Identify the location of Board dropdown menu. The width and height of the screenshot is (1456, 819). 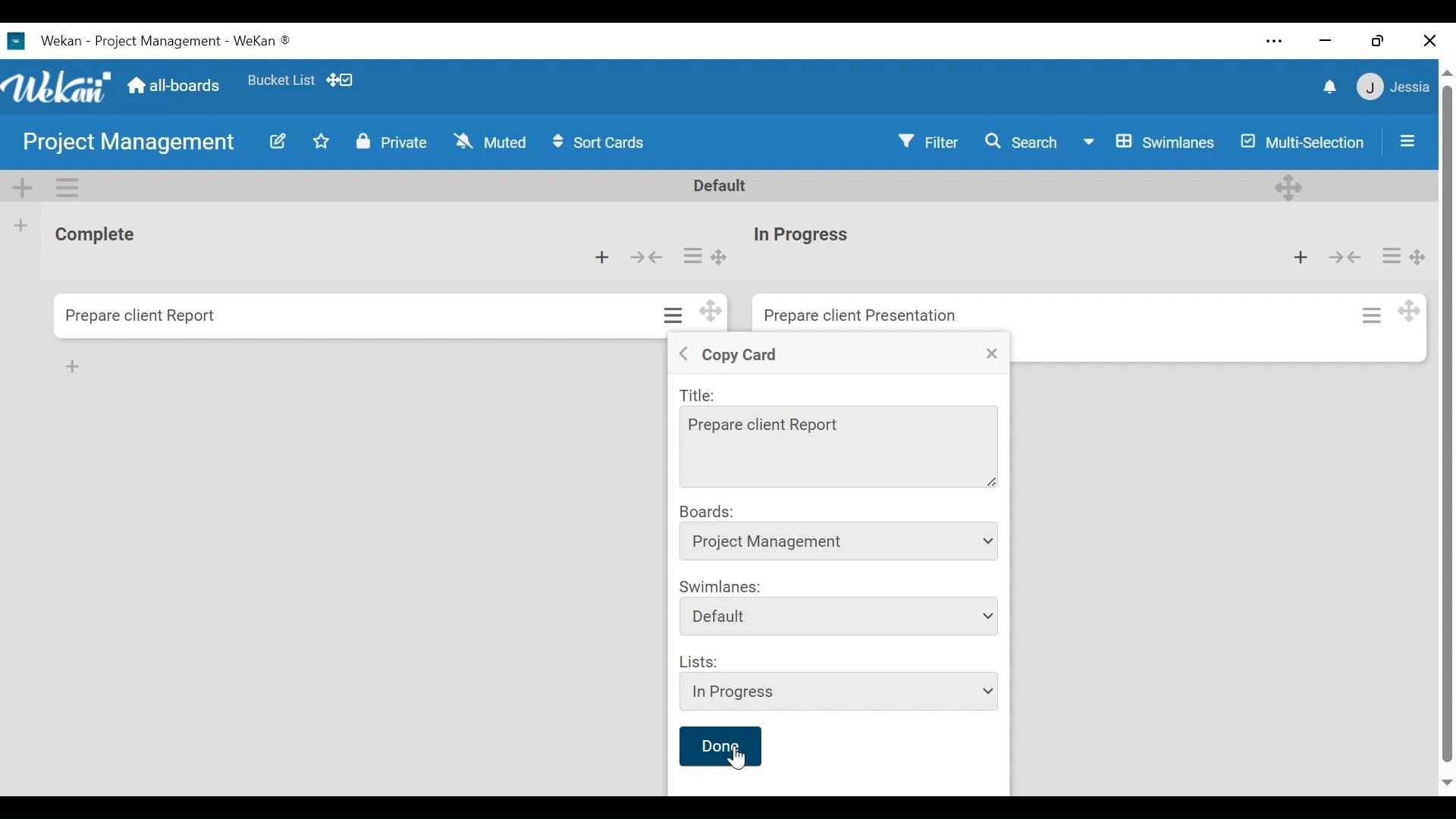
(839, 540).